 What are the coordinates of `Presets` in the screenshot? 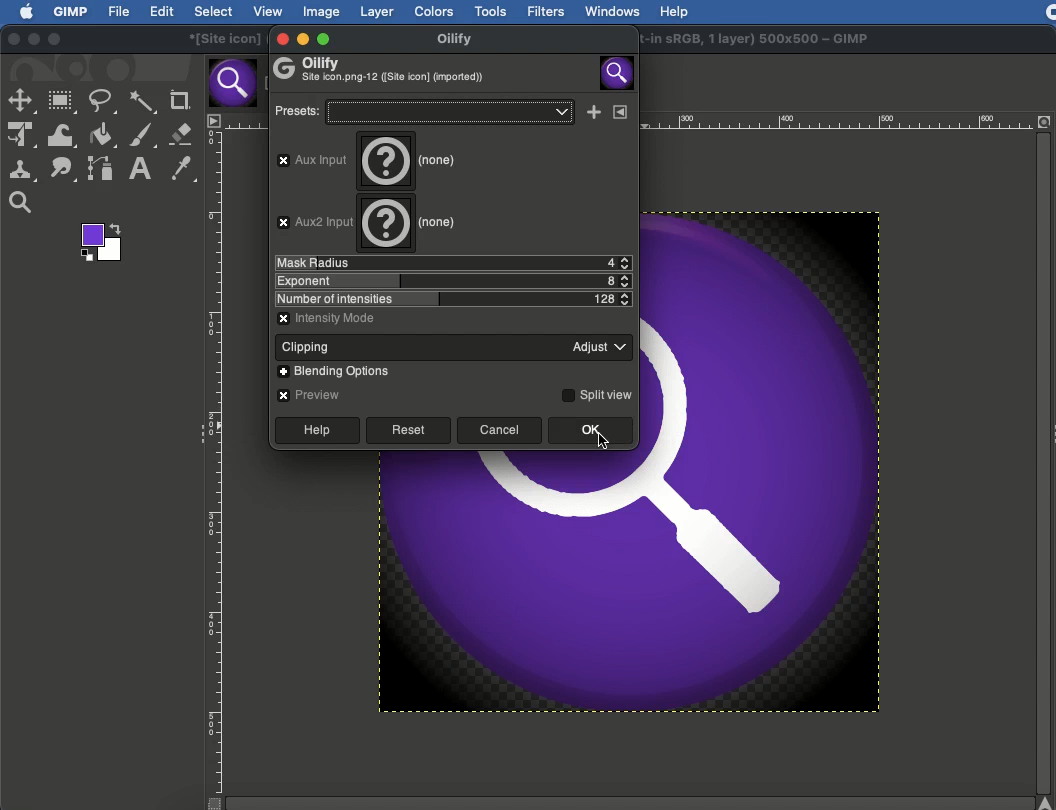 It's located at (425, 109).